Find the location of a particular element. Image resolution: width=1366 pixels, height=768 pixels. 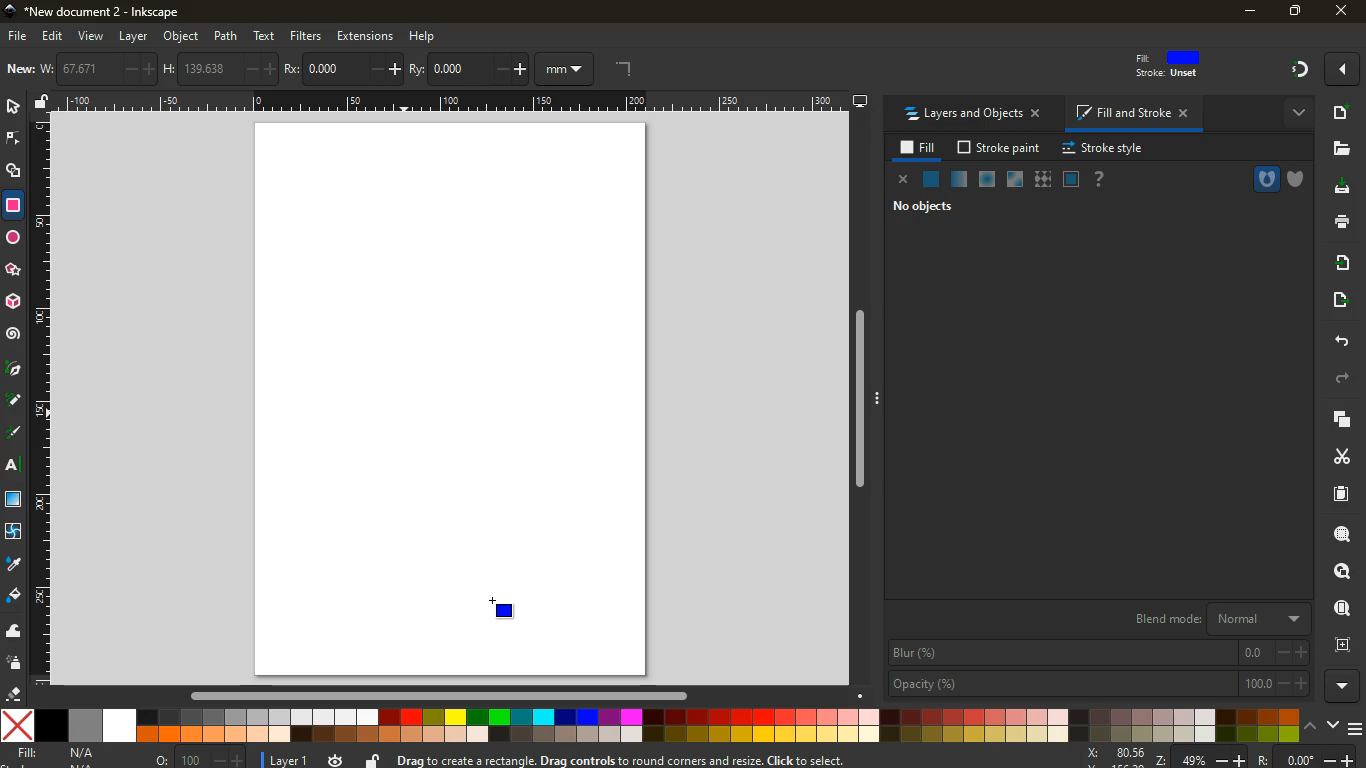

paper is located at coordinates (1336, 494).